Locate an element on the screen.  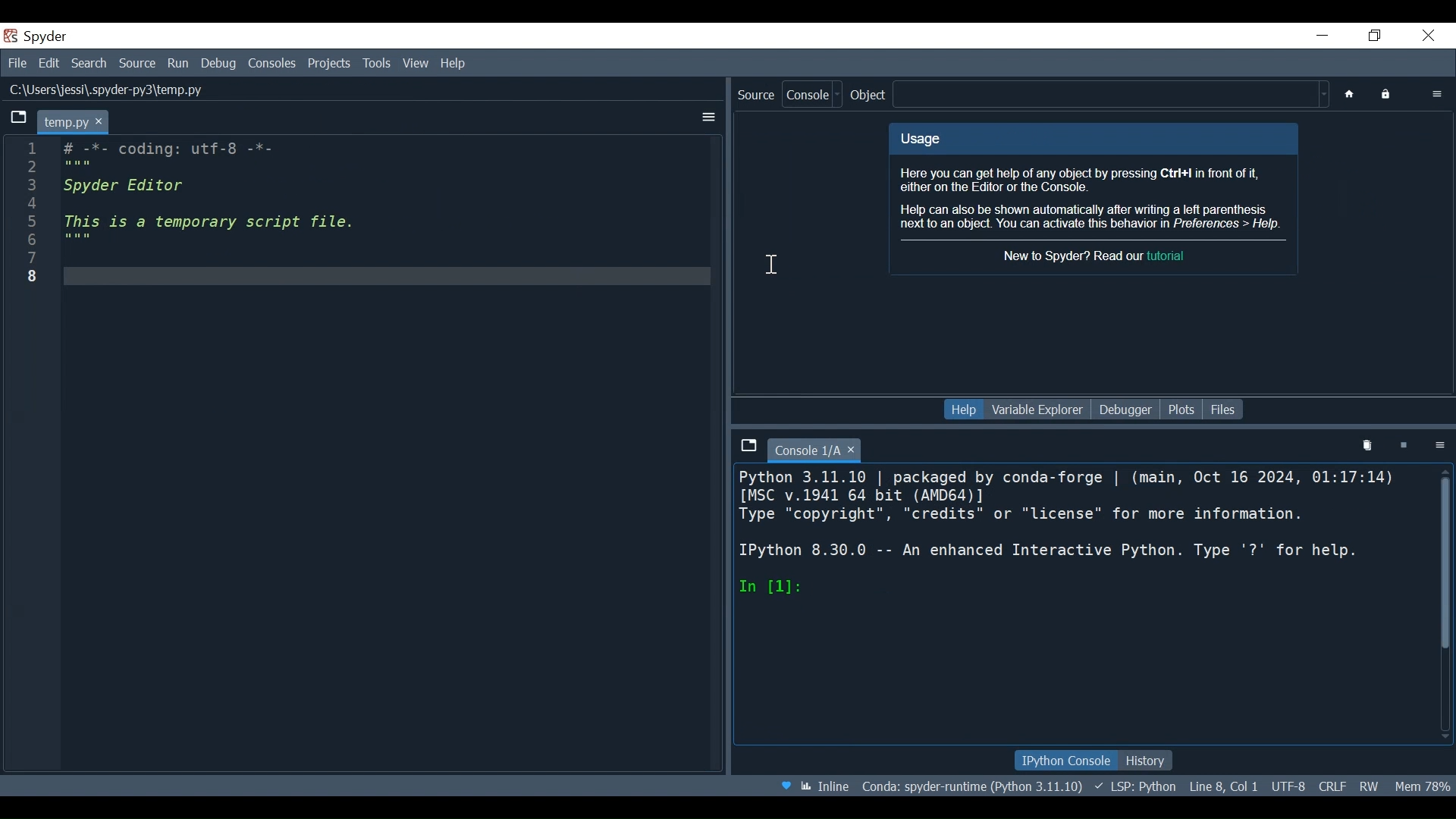
Object is located at coordinates (867, 95).